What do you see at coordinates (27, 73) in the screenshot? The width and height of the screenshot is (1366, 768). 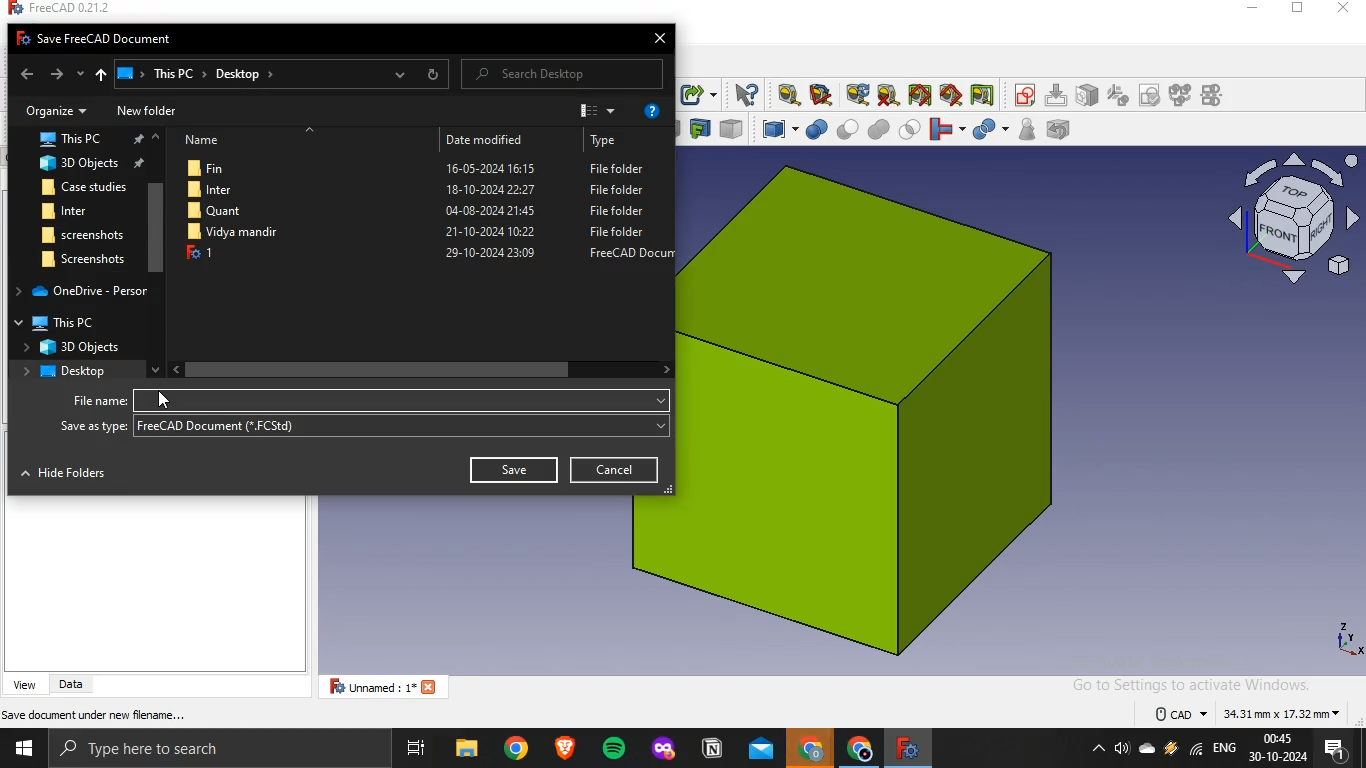 I see `back` at bounding box center [27, 73].